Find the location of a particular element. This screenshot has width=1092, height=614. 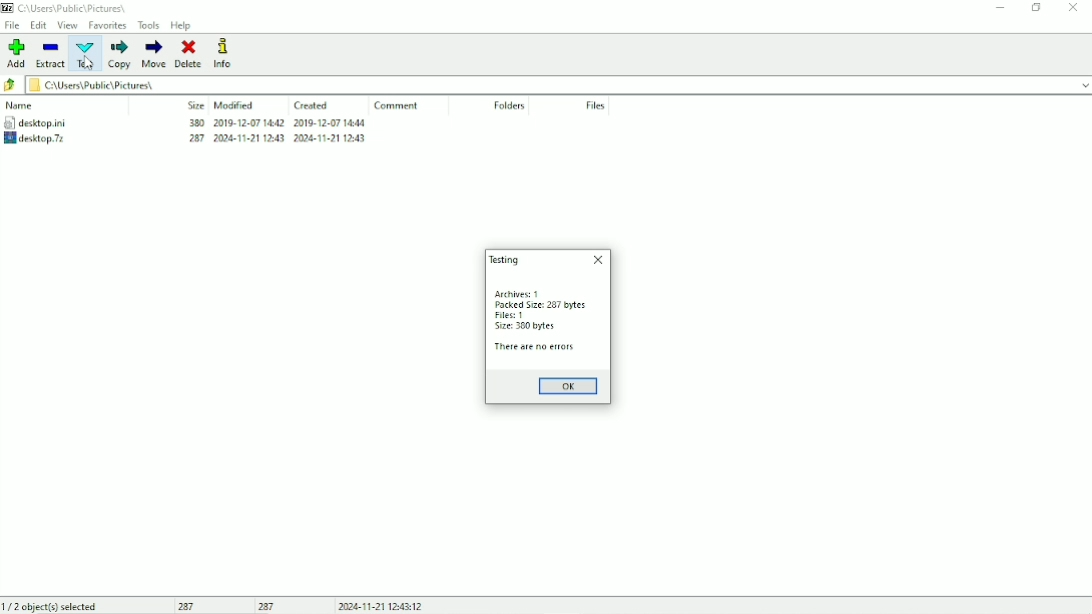

Testing is located at coordinates (503, 260).